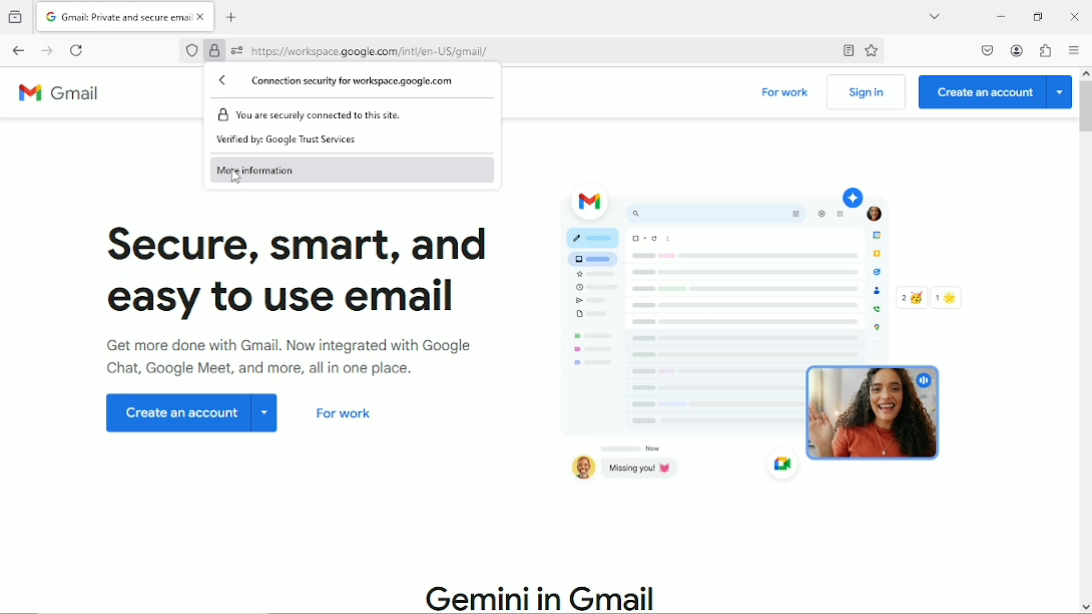 Image resolution: width=1092 pixels, height=614 pixels. What do you see at coordinates (337, 412) in the screenshot?
I see `For work` at bounding box center [337, 412].